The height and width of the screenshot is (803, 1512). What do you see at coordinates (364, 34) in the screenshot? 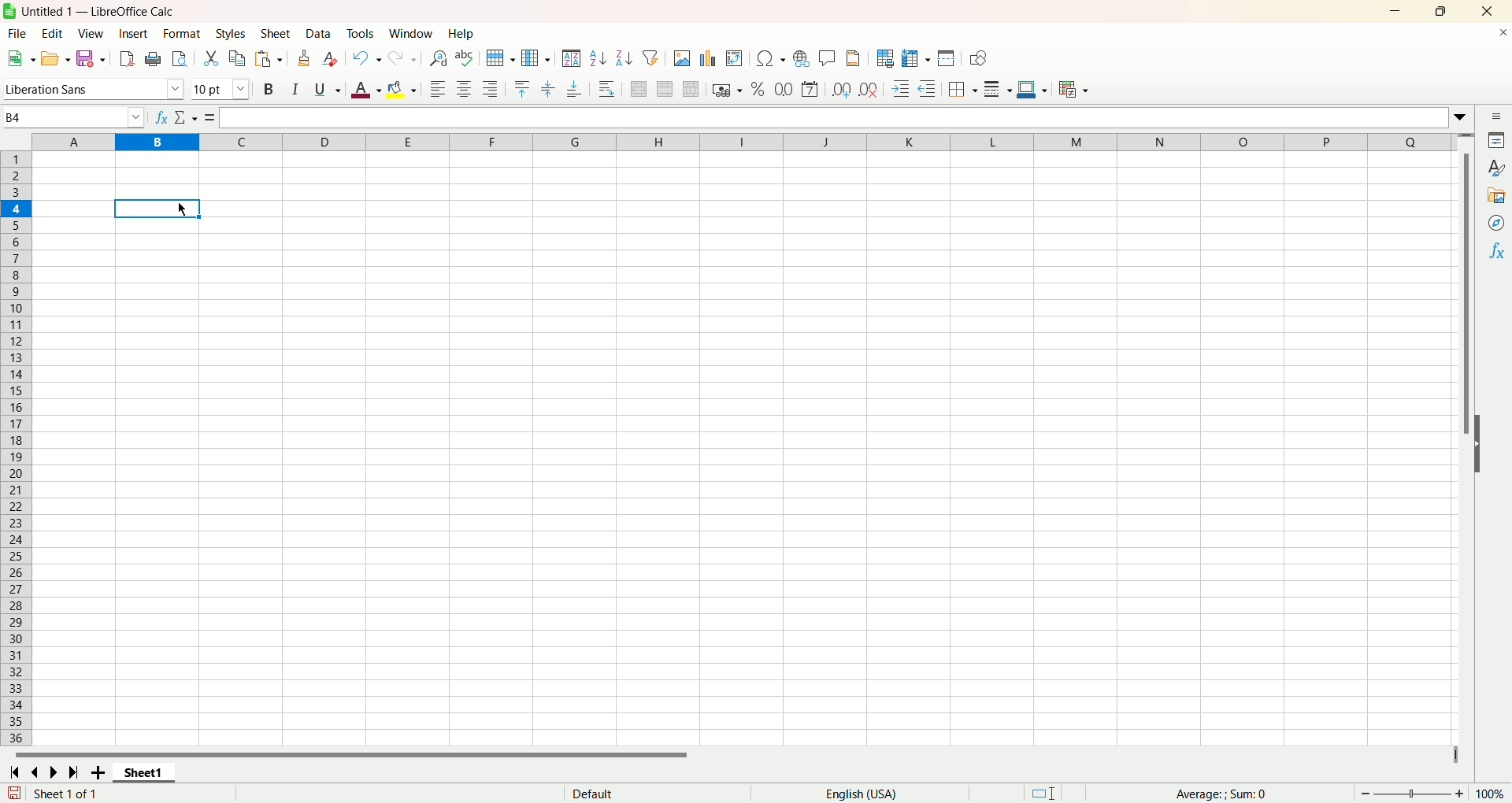
I see `tools` at bounding box center [364, 34].